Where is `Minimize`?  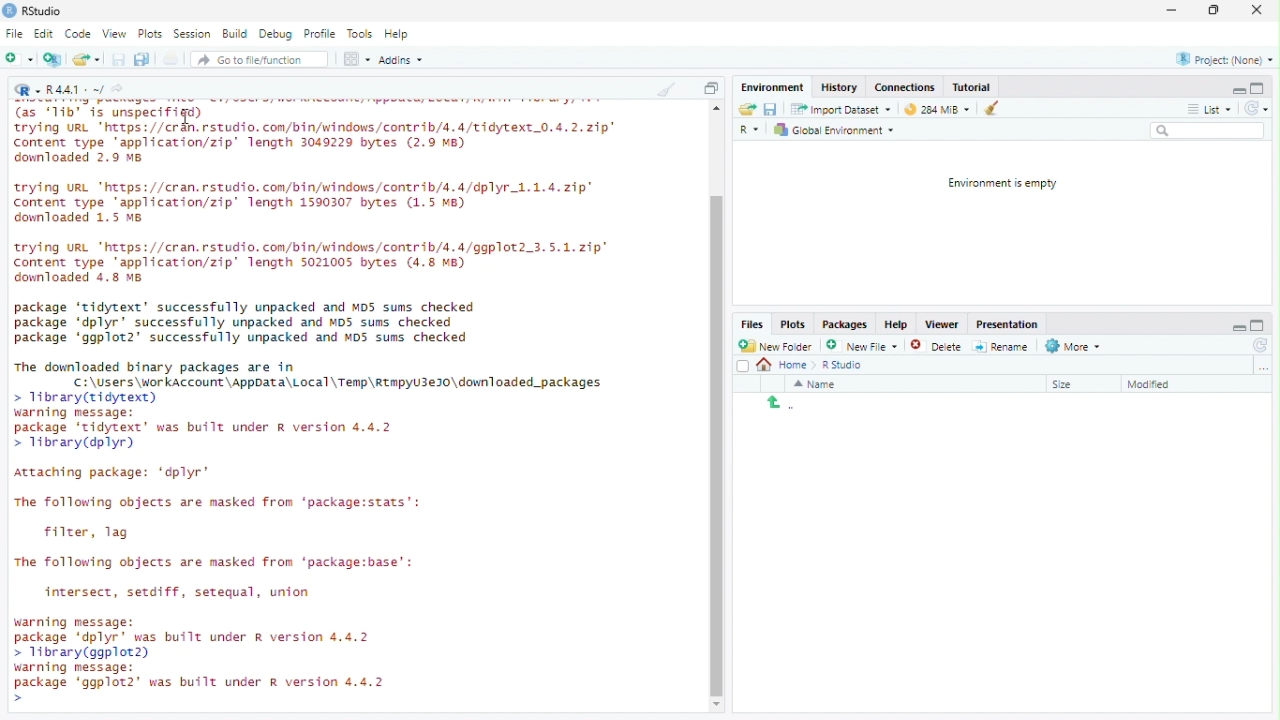 Minimize is located at coordinates (1238, 326).